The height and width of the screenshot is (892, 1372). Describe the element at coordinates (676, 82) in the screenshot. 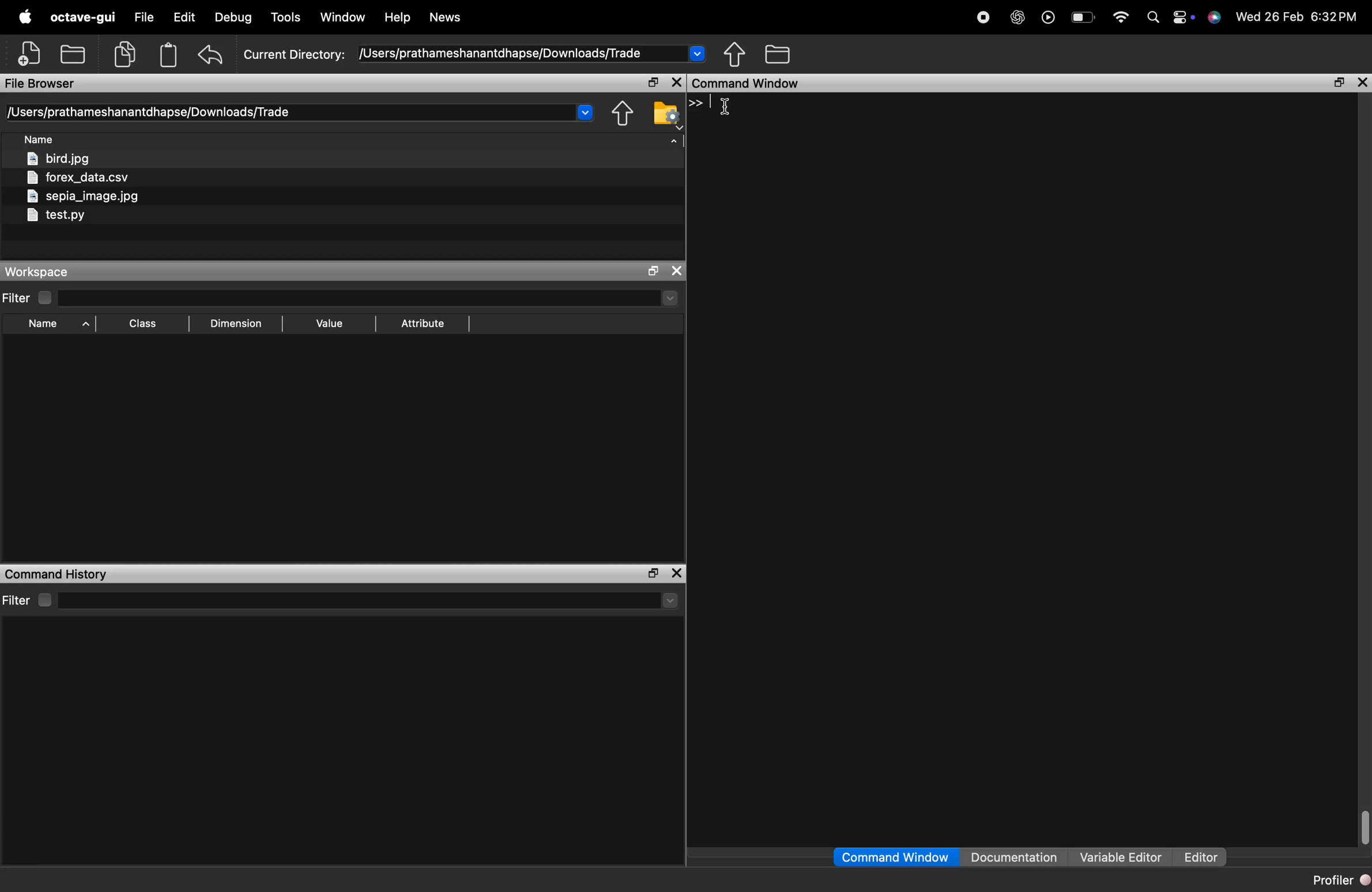

I see `close` at that location.